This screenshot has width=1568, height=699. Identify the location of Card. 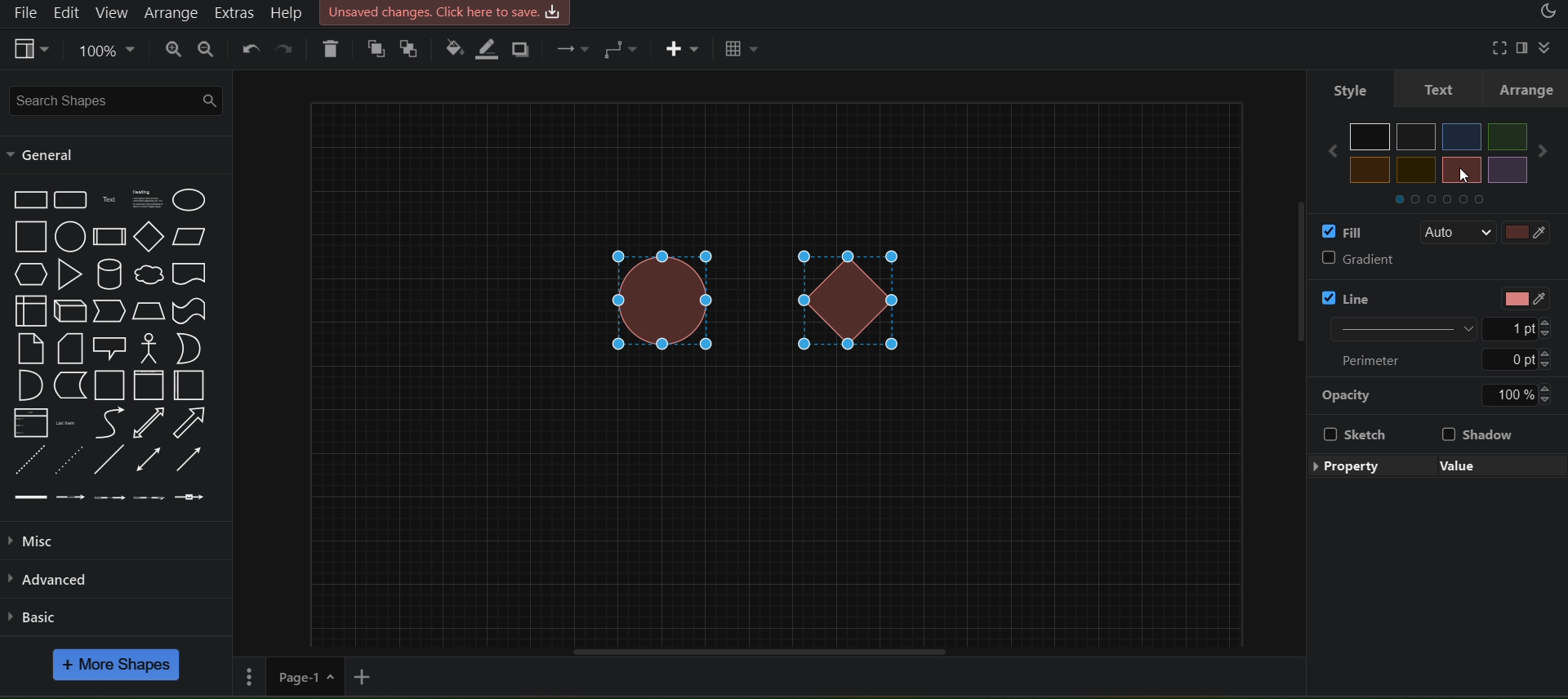
(69, 349).